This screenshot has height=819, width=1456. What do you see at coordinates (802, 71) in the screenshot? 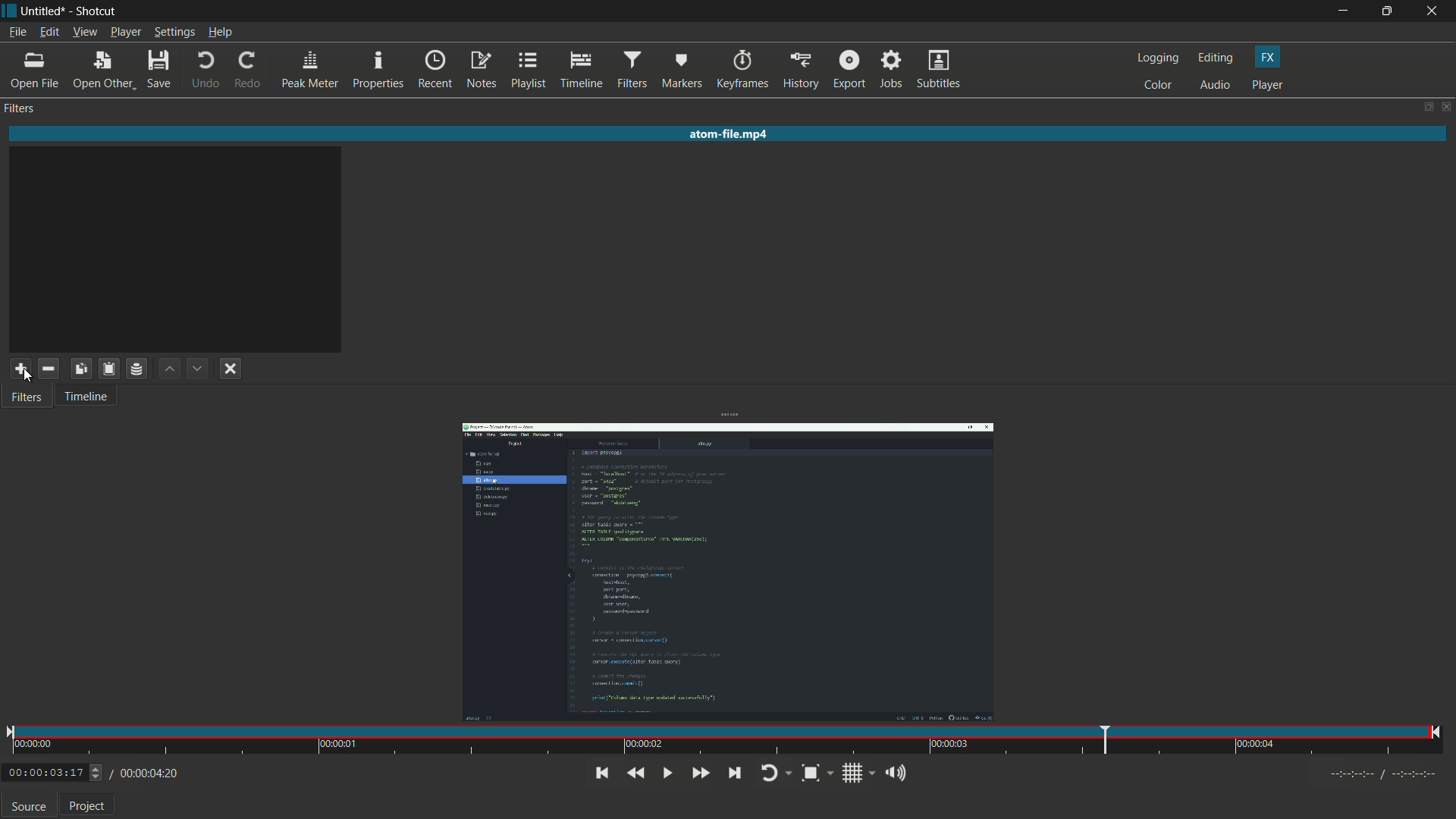
I see `history` at bounding box center [802, 71].